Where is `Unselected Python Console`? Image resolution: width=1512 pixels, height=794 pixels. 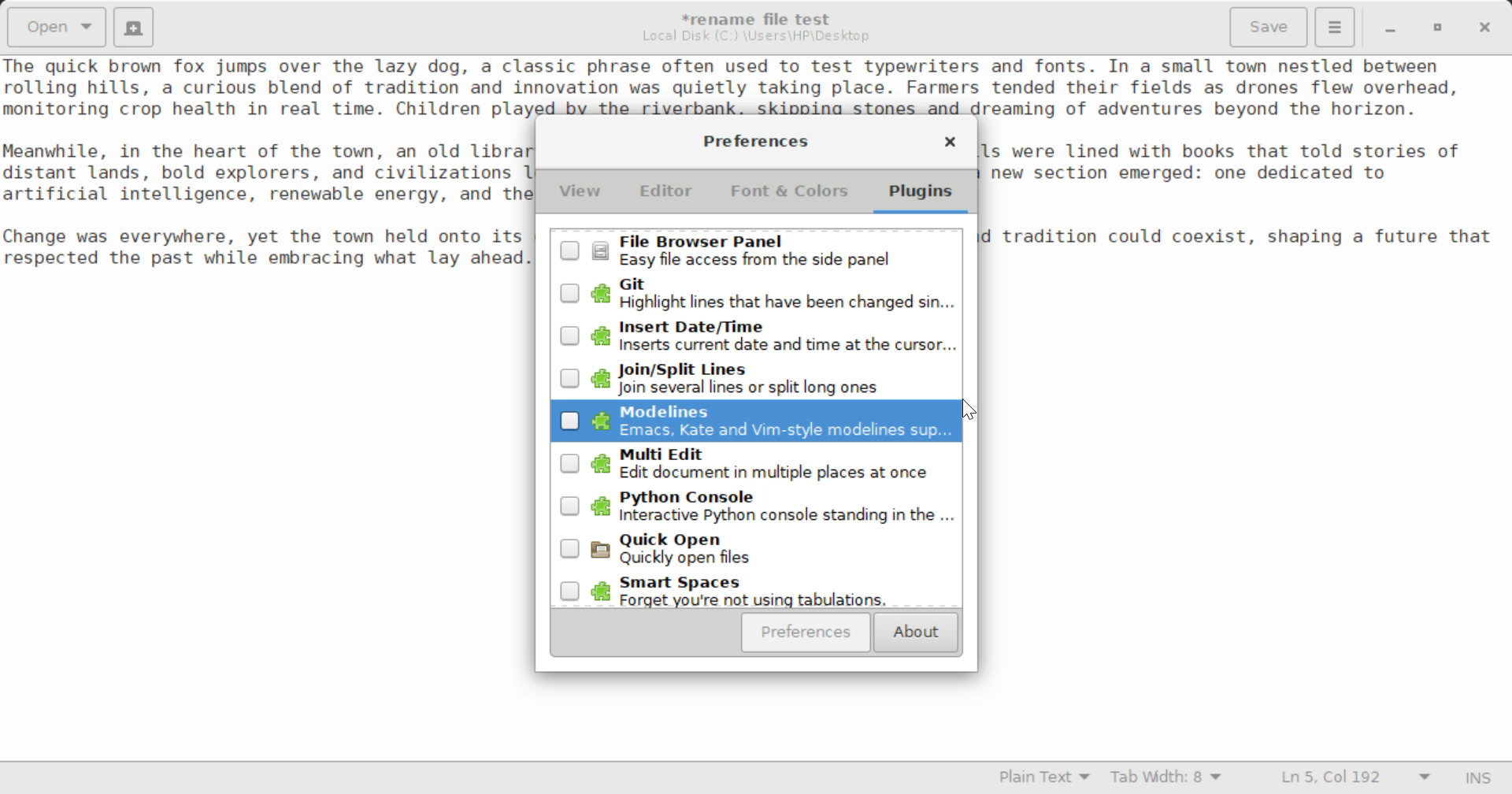 Unselected Python Console is located at coordinates (755, 511).